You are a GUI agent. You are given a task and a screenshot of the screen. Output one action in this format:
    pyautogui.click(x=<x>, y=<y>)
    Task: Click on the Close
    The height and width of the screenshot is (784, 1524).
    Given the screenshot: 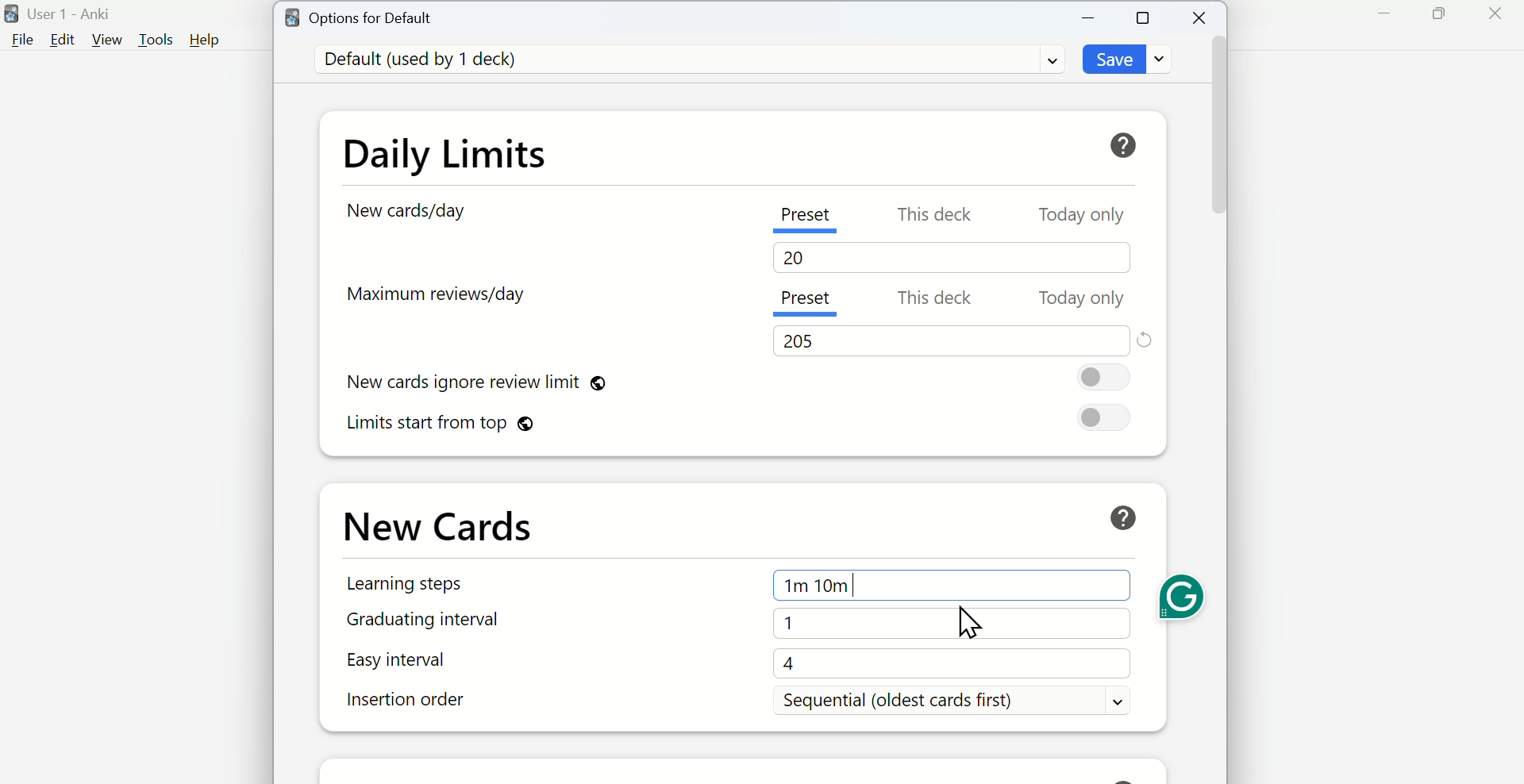 What is the action you would take?
    pyautogui.click(x=1498, y=16)
    